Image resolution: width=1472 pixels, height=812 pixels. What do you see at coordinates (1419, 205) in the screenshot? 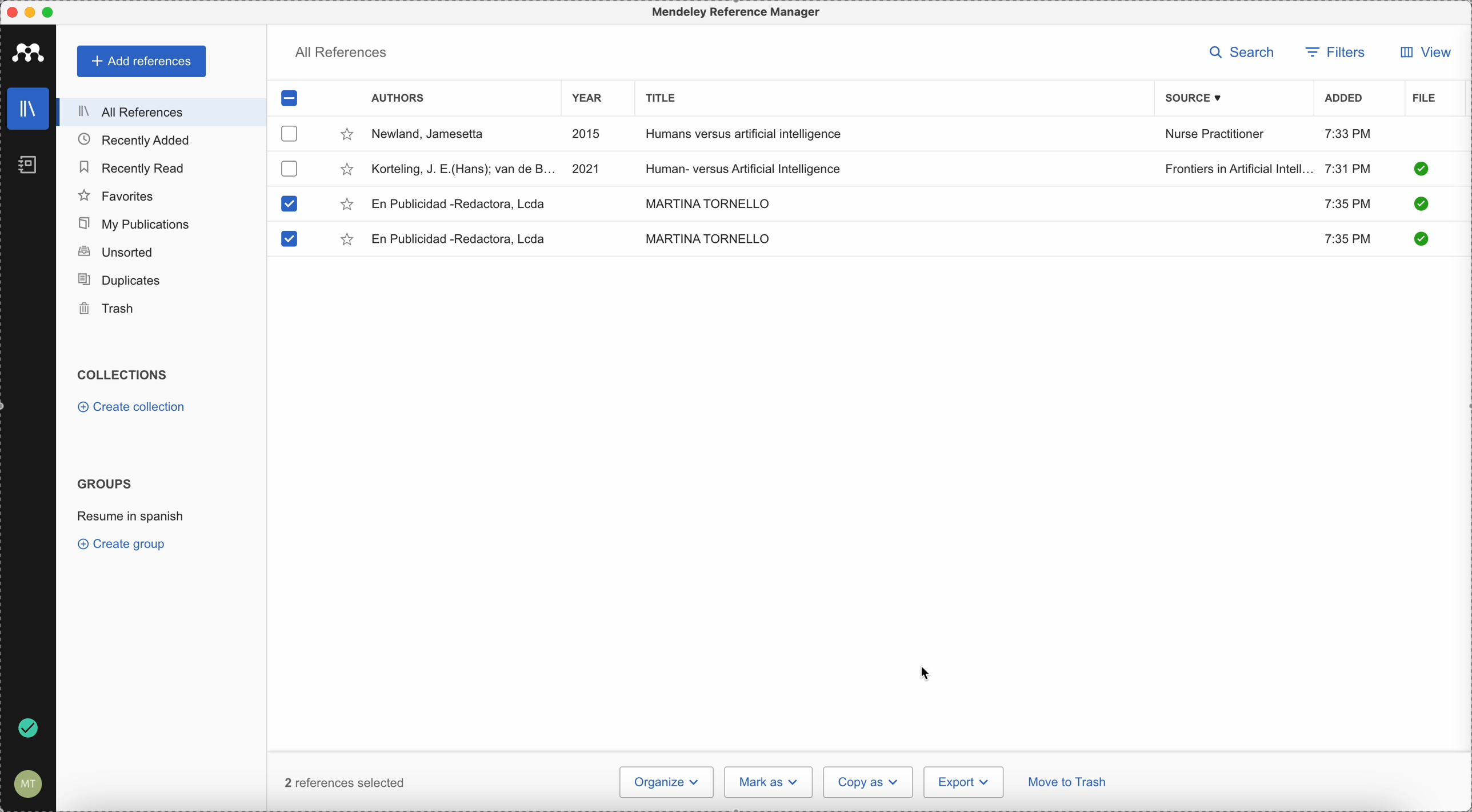
I see `check it` at bounding box center [1419, 205].